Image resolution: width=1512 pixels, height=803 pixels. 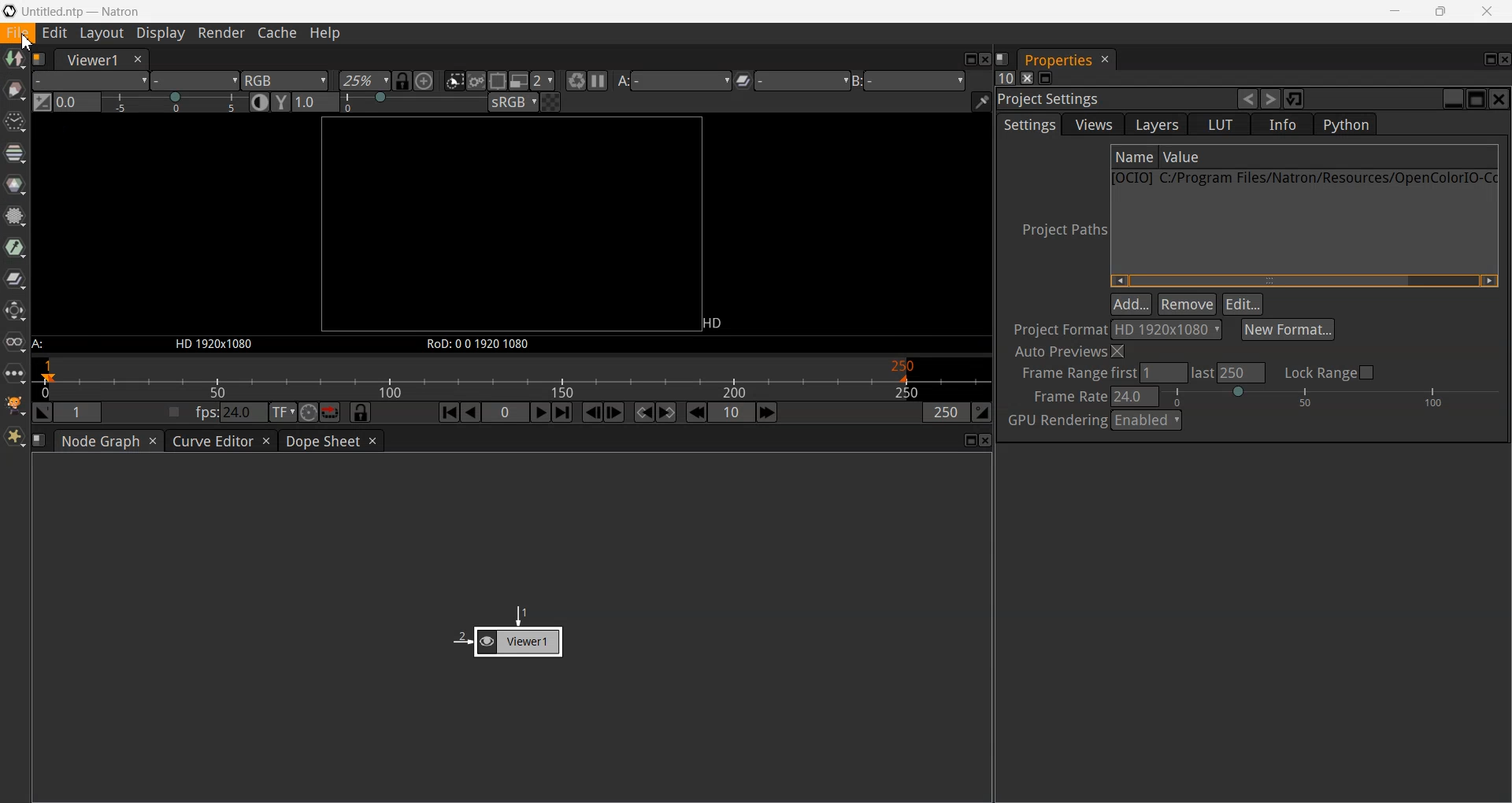 What do you see at coordinates (987, 440) in the screenshot?
I see `Close` at bounding box center [987, 440].